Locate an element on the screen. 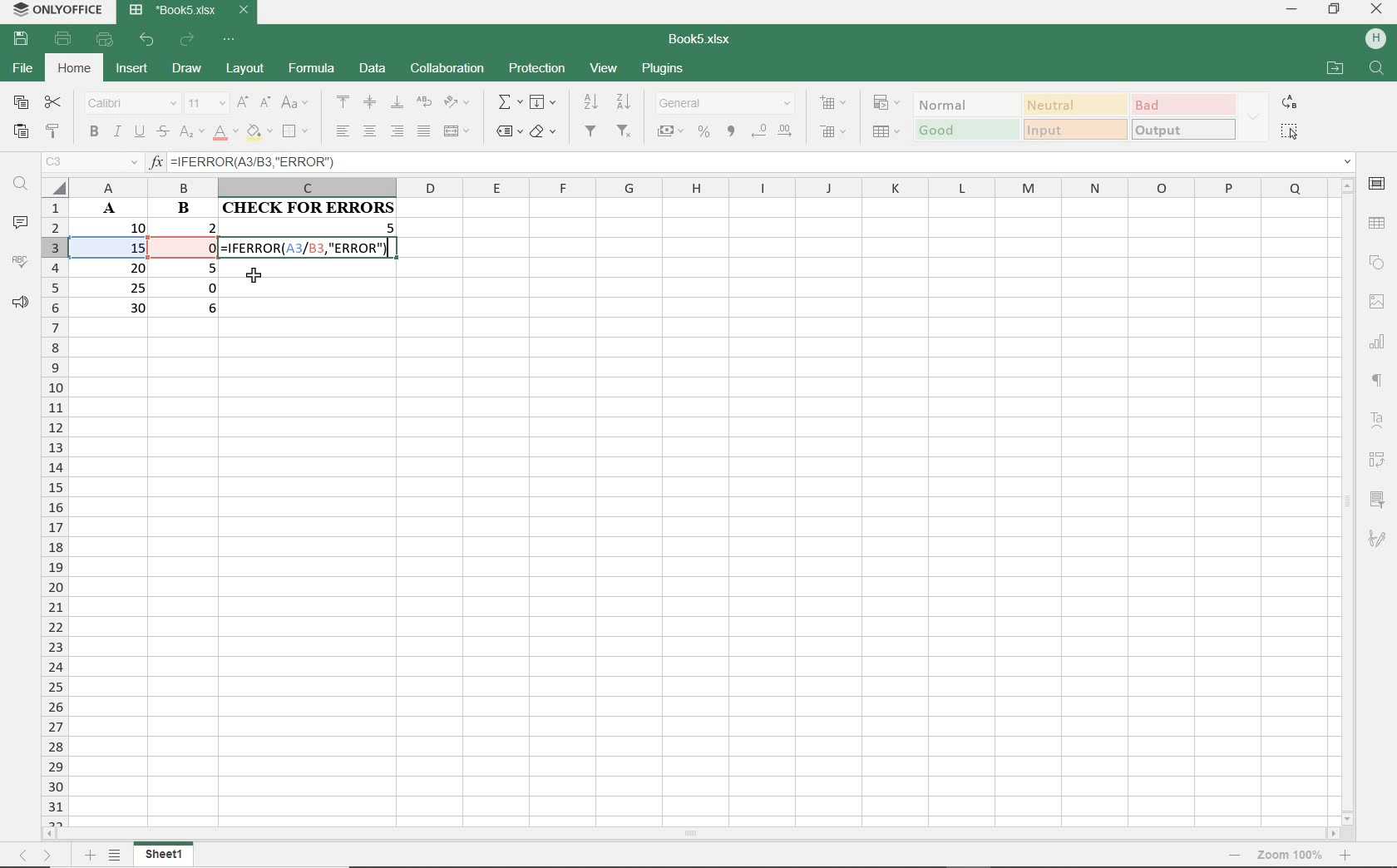 The width and height of the screenshot is (1397, 868). COPY STYLE is located at coordinates (54, 131).